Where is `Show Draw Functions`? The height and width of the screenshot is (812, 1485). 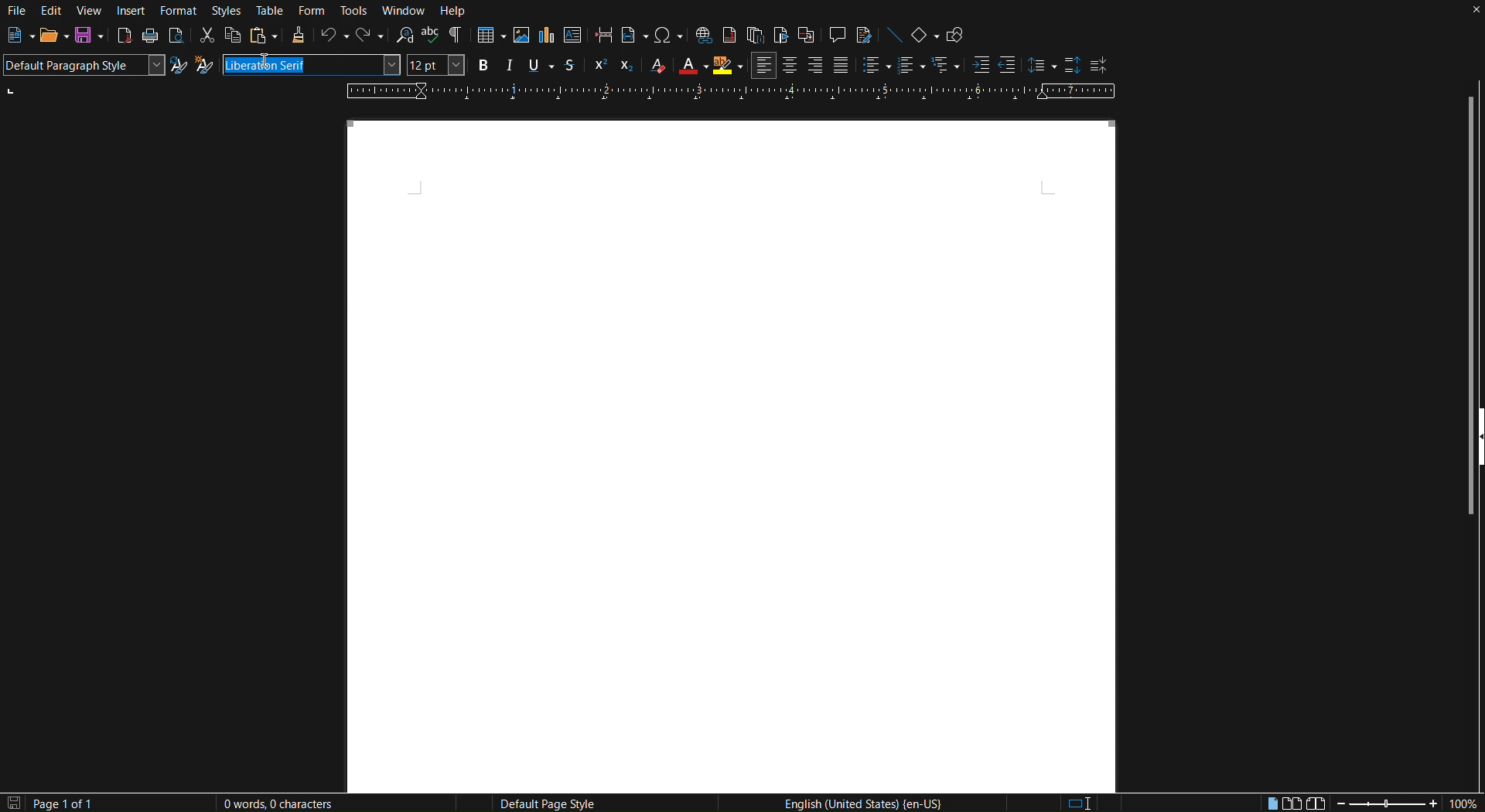 Show Draw Functions is located at coordinates (955, 37).